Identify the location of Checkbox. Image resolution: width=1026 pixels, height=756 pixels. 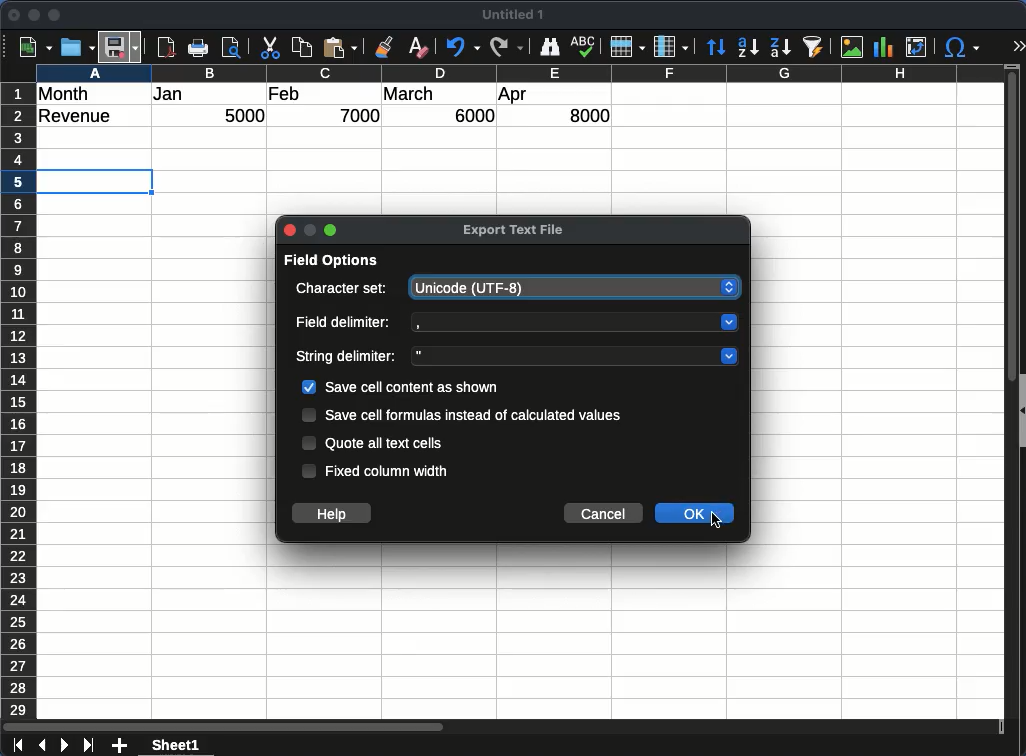
(309, 415).